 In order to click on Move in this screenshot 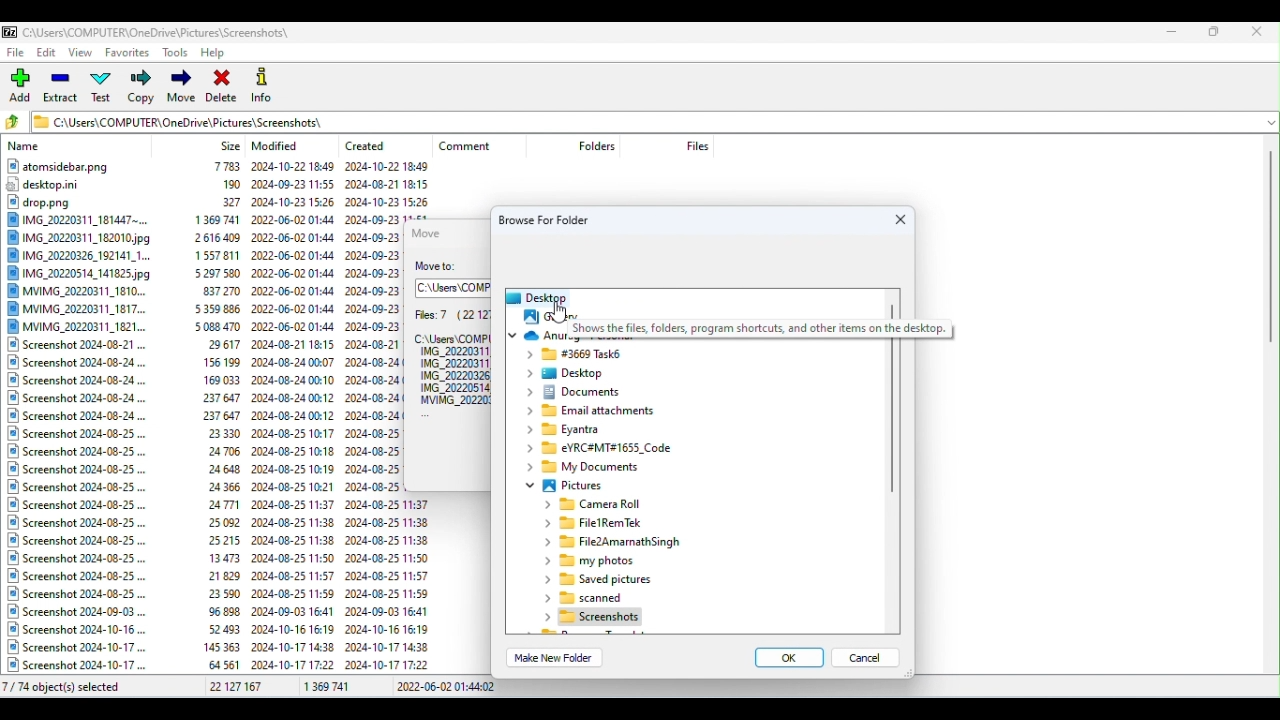, I will do `click(181, 88)`.